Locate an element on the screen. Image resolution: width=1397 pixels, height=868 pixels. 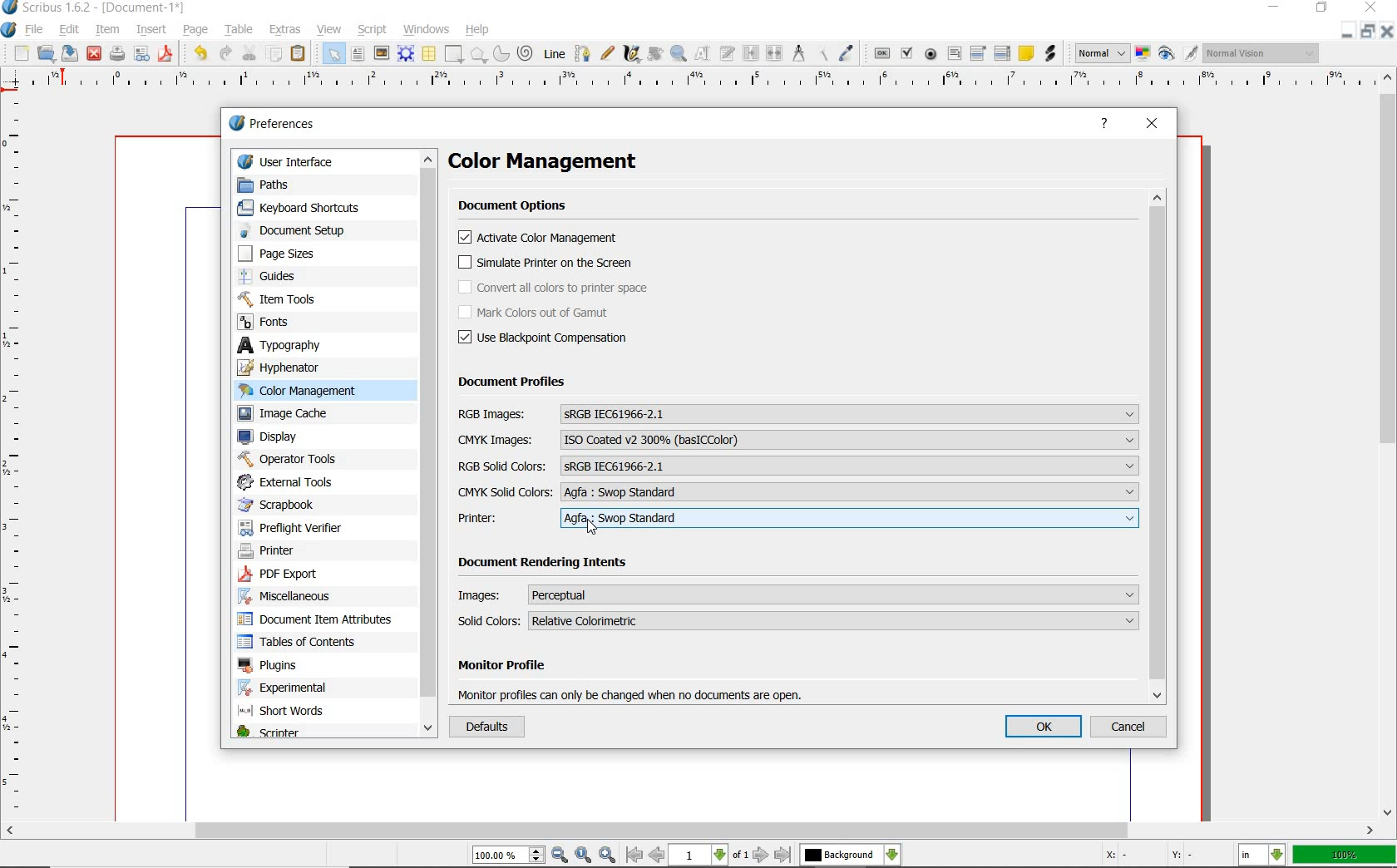
preflight verifier is located at coordinates (304, 527).